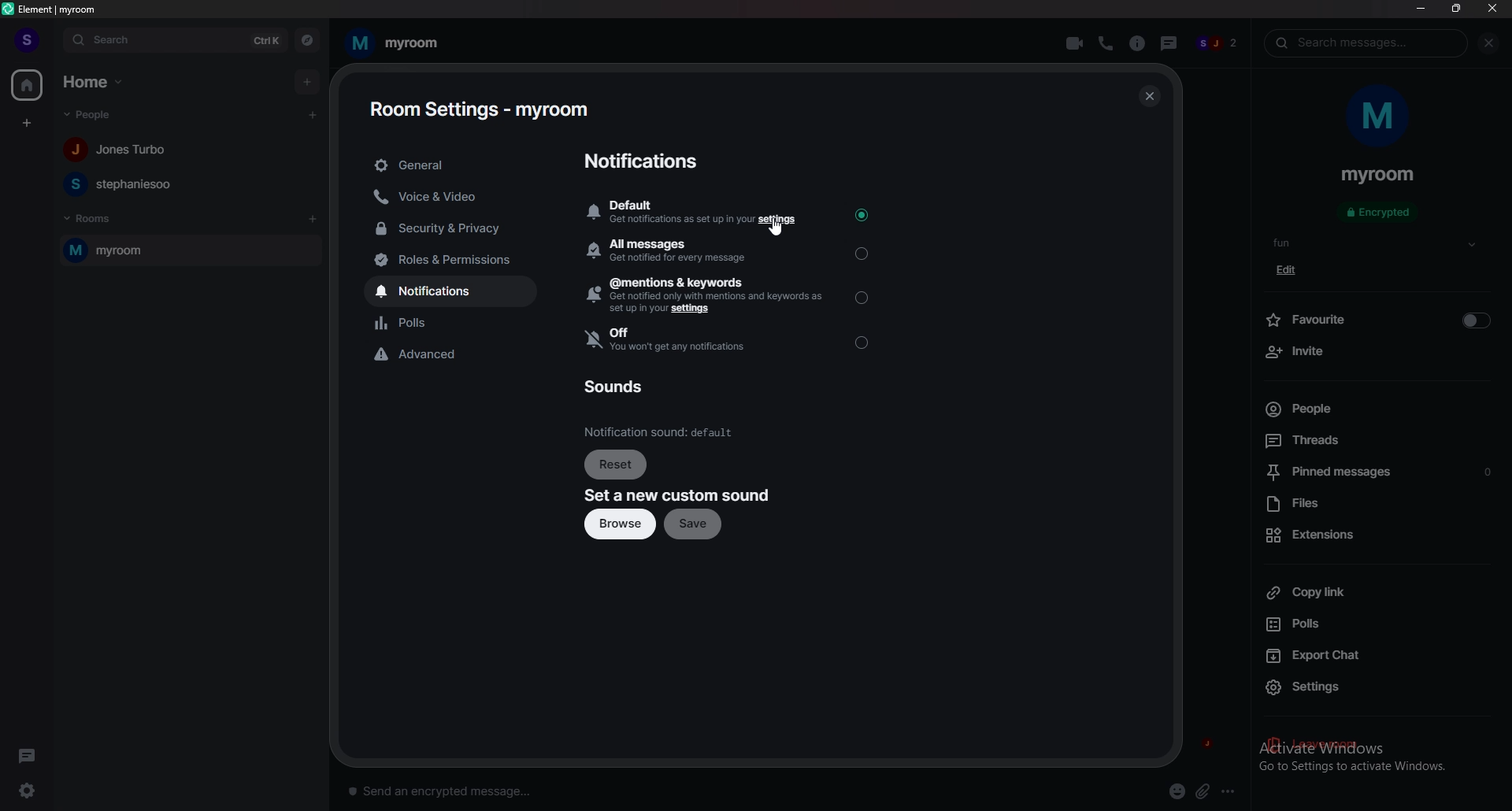  Describe the element at coordinates (1377, 318) in the screenshot. I see `favourite` at that location.